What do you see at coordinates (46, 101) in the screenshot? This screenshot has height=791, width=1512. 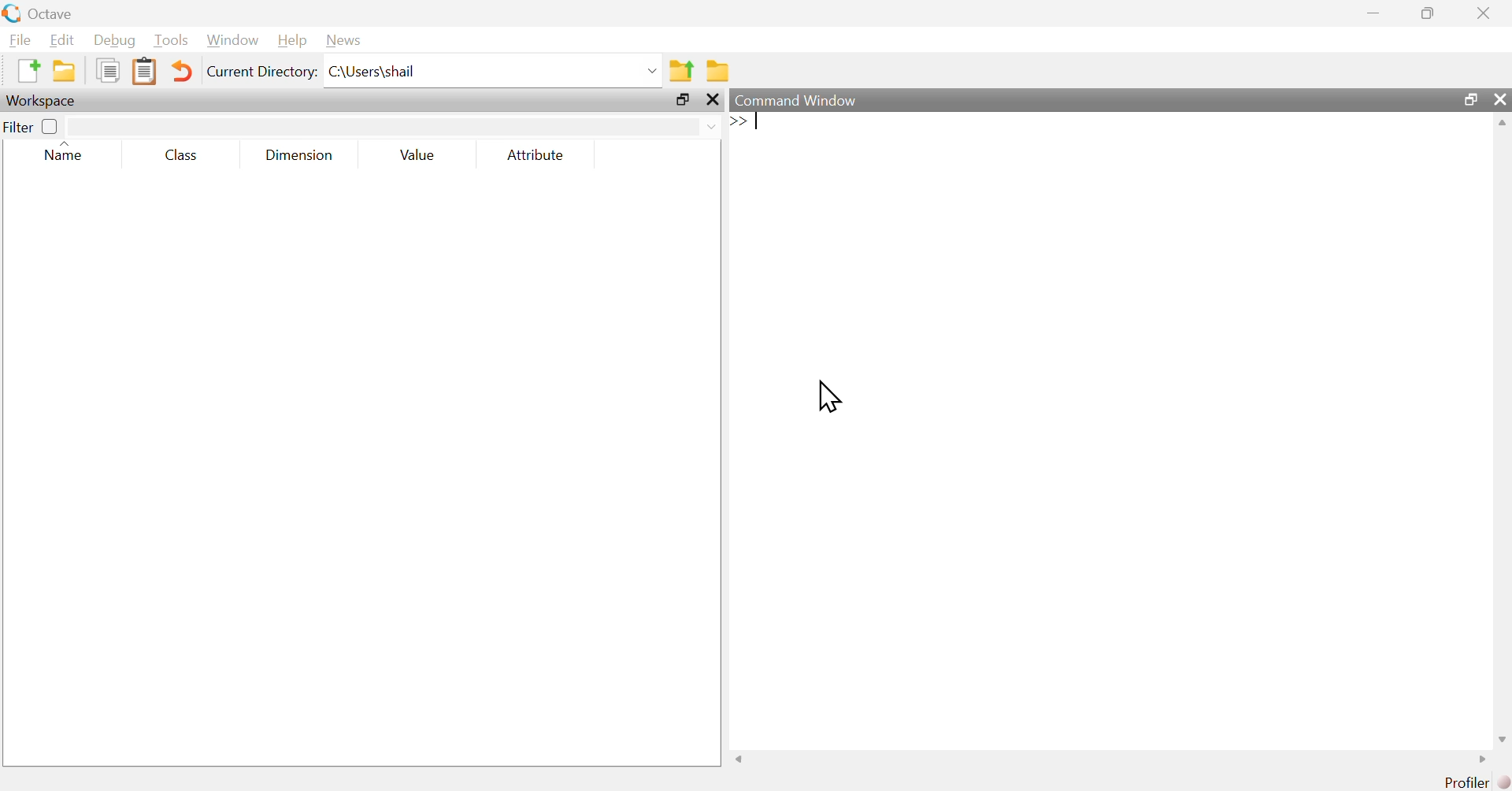 I see `Workspace` at bounding box center [46, 101].